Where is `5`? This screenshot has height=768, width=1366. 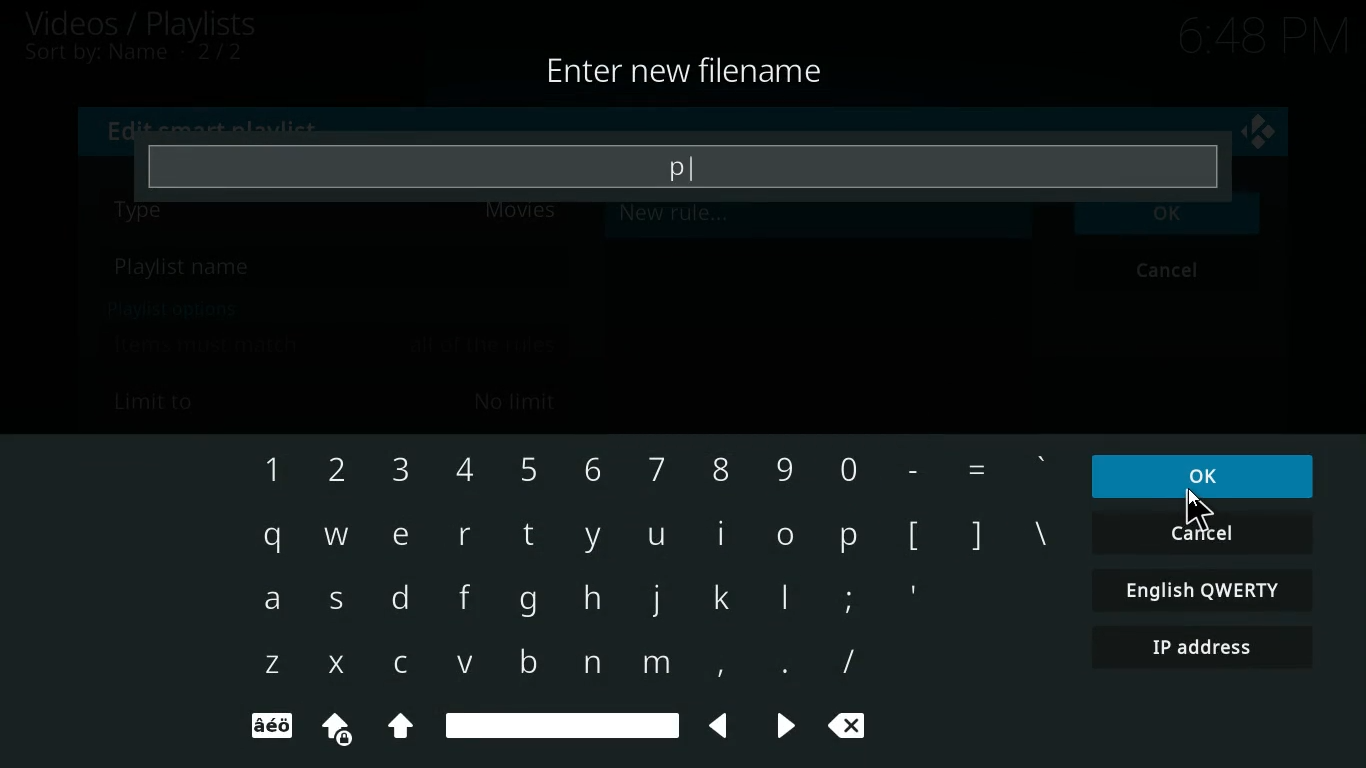 5 is located at coordinates (527, 468).